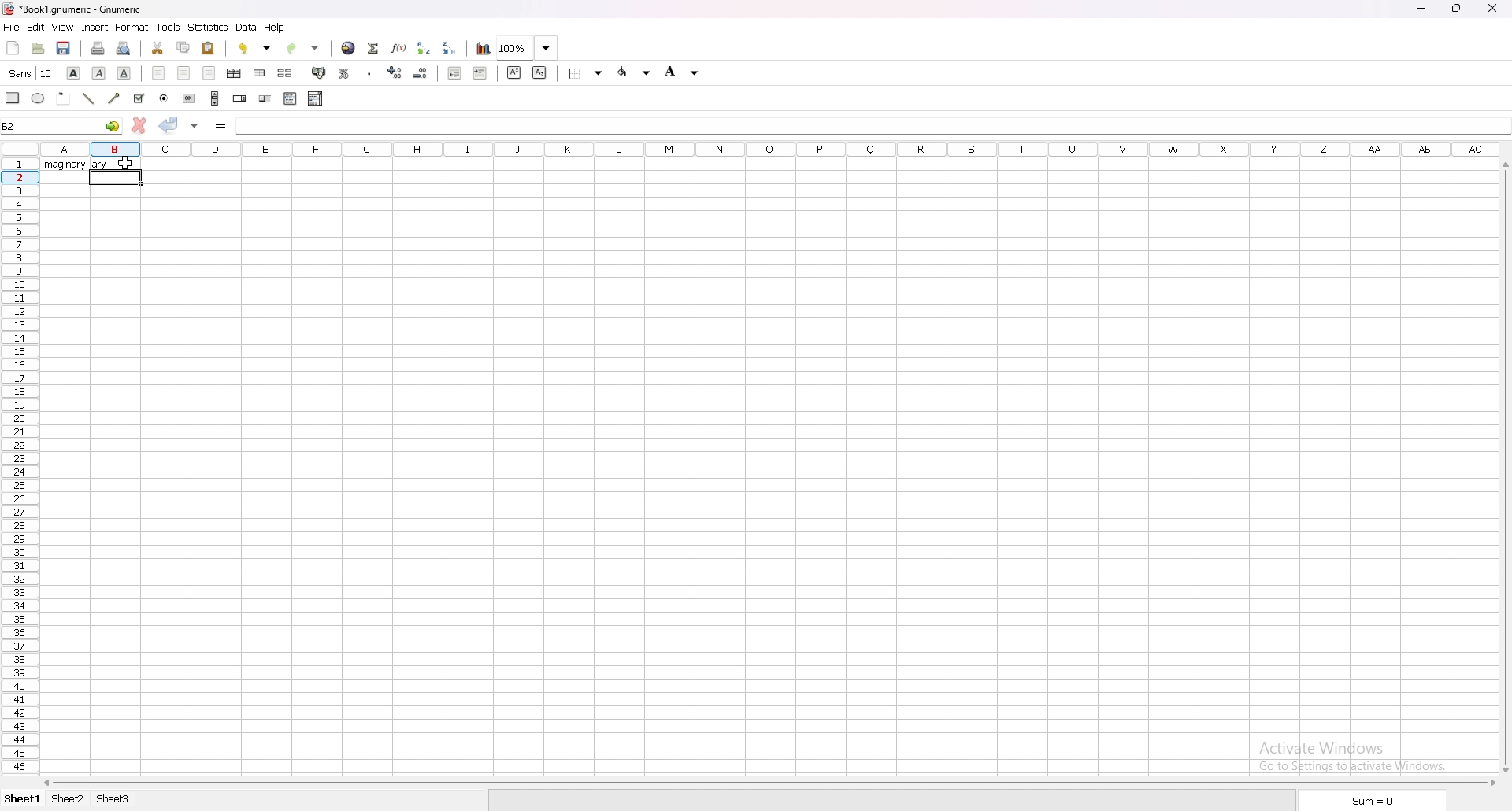 This screenshot has height=811, width=1512. What do you see at coordinates (1421, 8) in the screenshot?
I see `minimize` at bounding box center [1421, 8].